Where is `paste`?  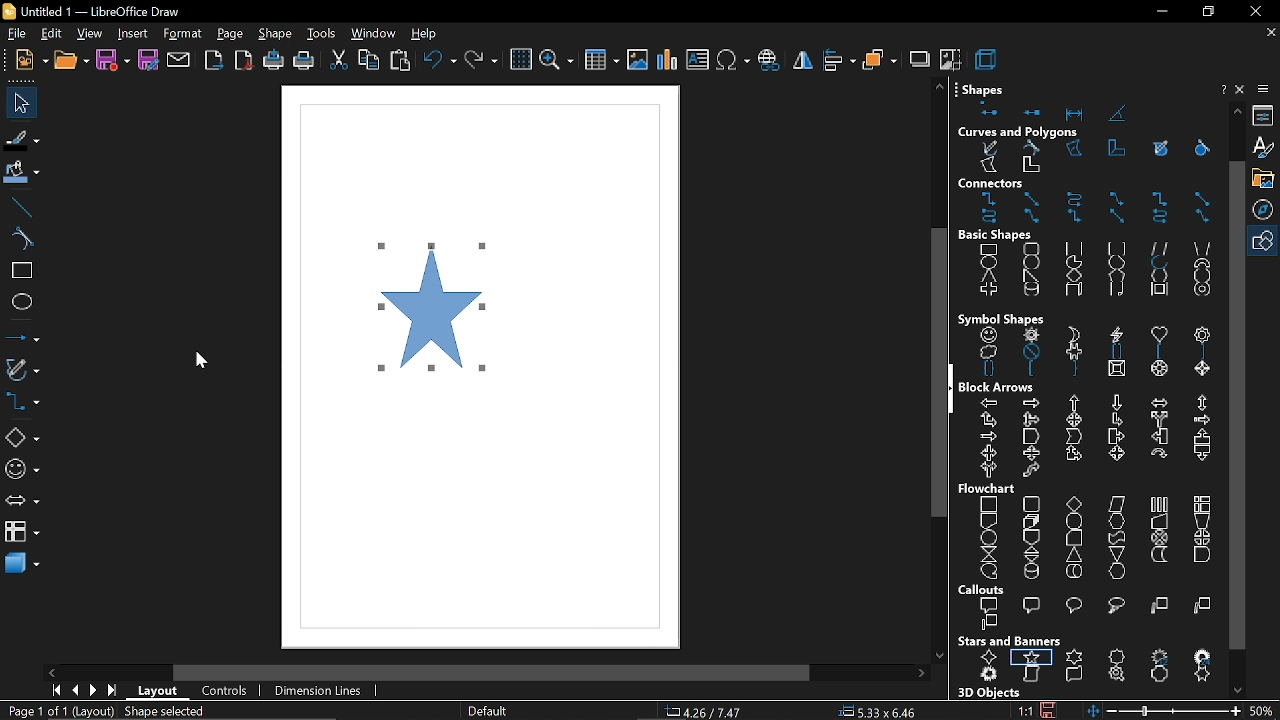
paste is located at coordinates (401, 60).